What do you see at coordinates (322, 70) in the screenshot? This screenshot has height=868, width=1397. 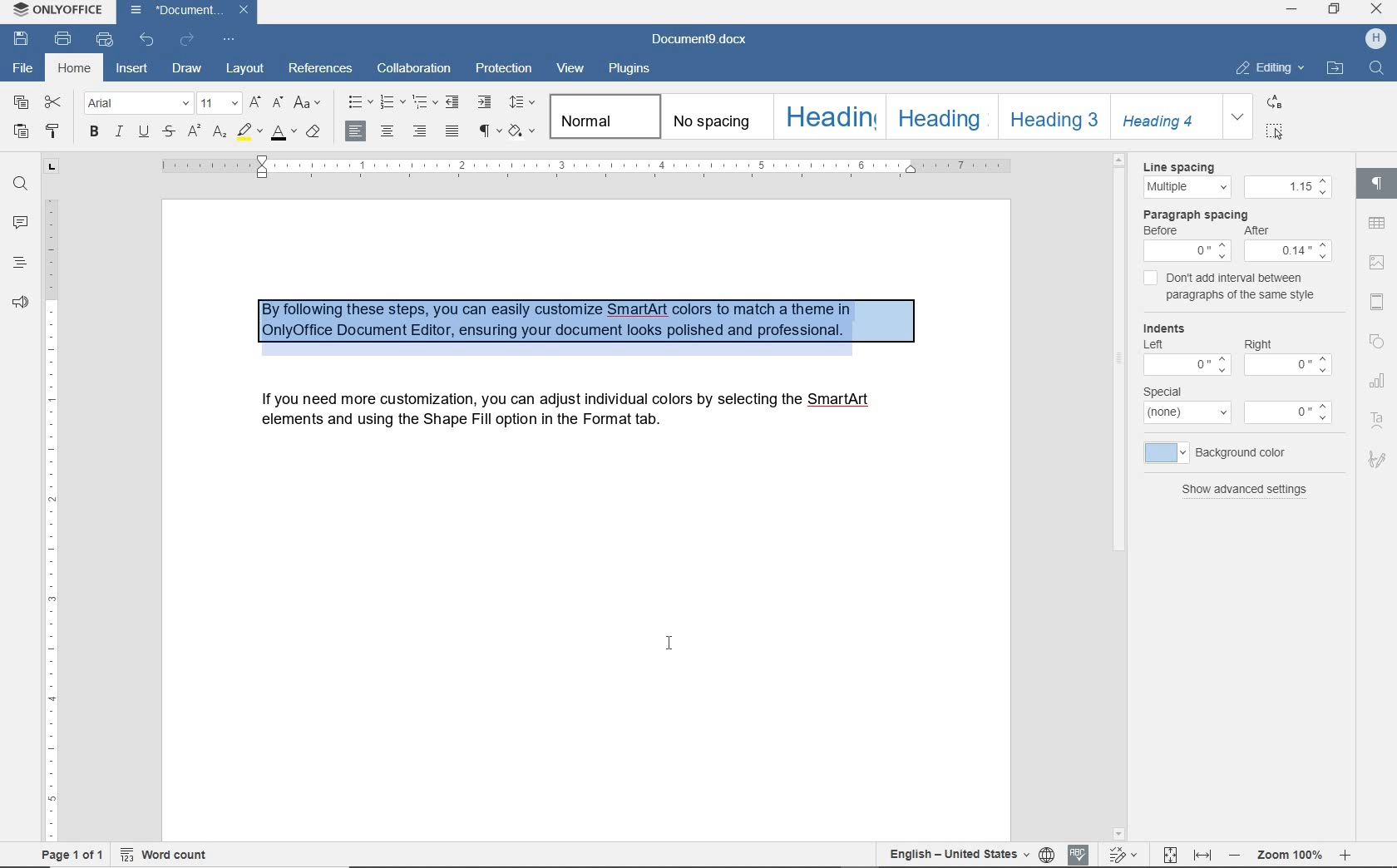 I see `references` at bounding box center [322, 70].